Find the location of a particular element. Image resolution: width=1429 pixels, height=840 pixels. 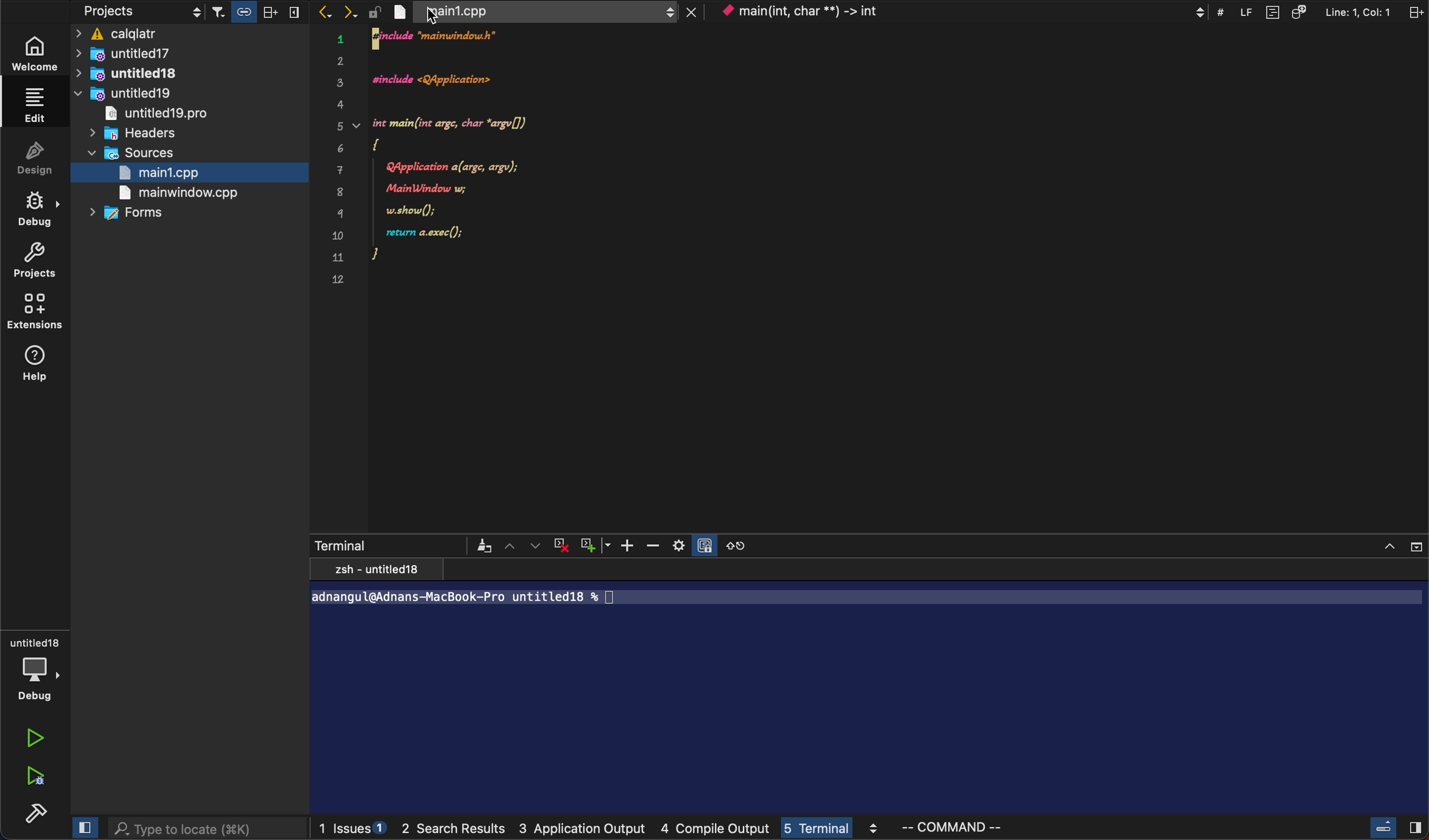

help is located at coordinates (41, 363).